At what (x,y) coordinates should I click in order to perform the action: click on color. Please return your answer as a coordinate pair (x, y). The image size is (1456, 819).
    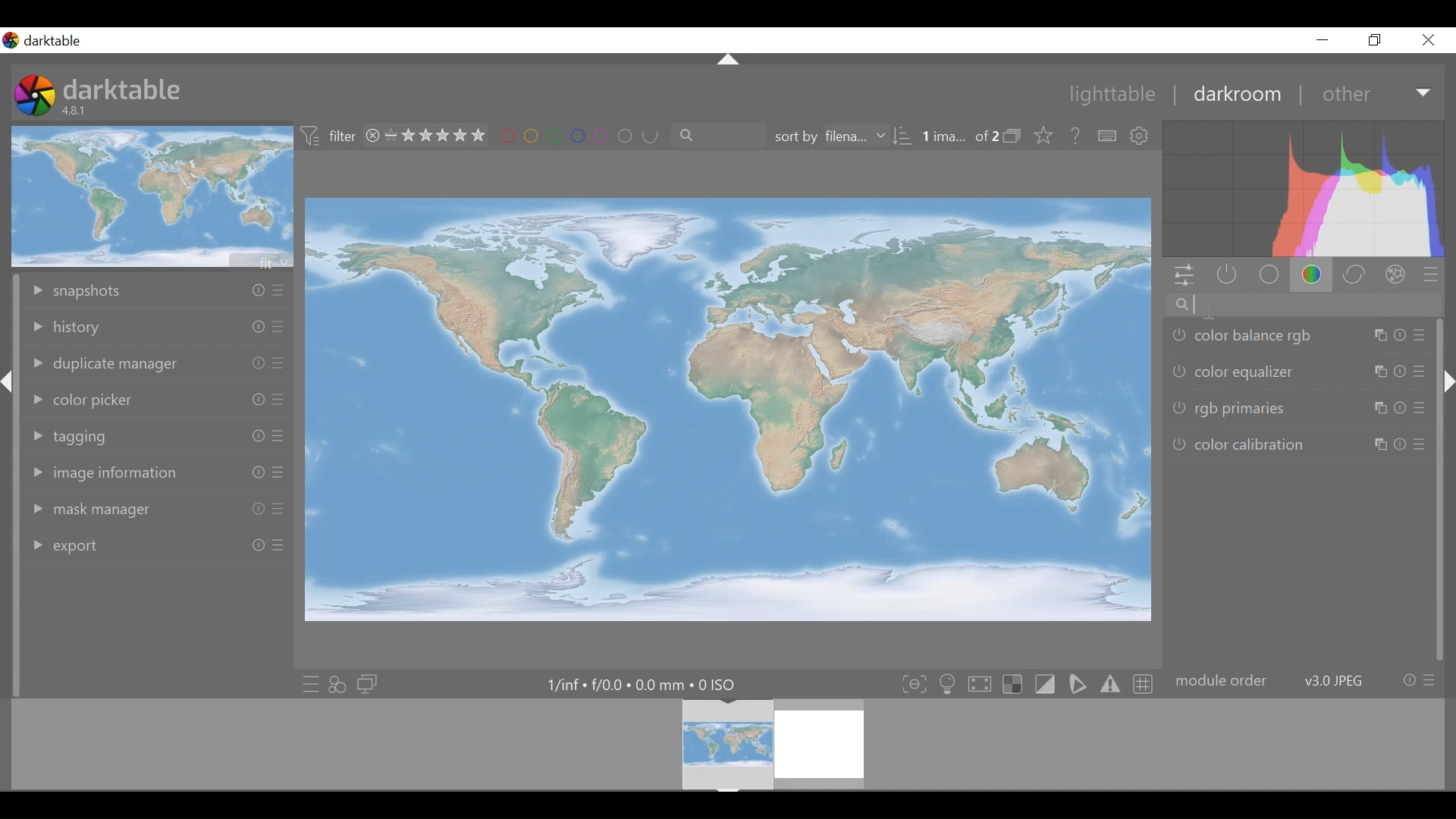
    Looking at the image, I should click on (1312, 275).